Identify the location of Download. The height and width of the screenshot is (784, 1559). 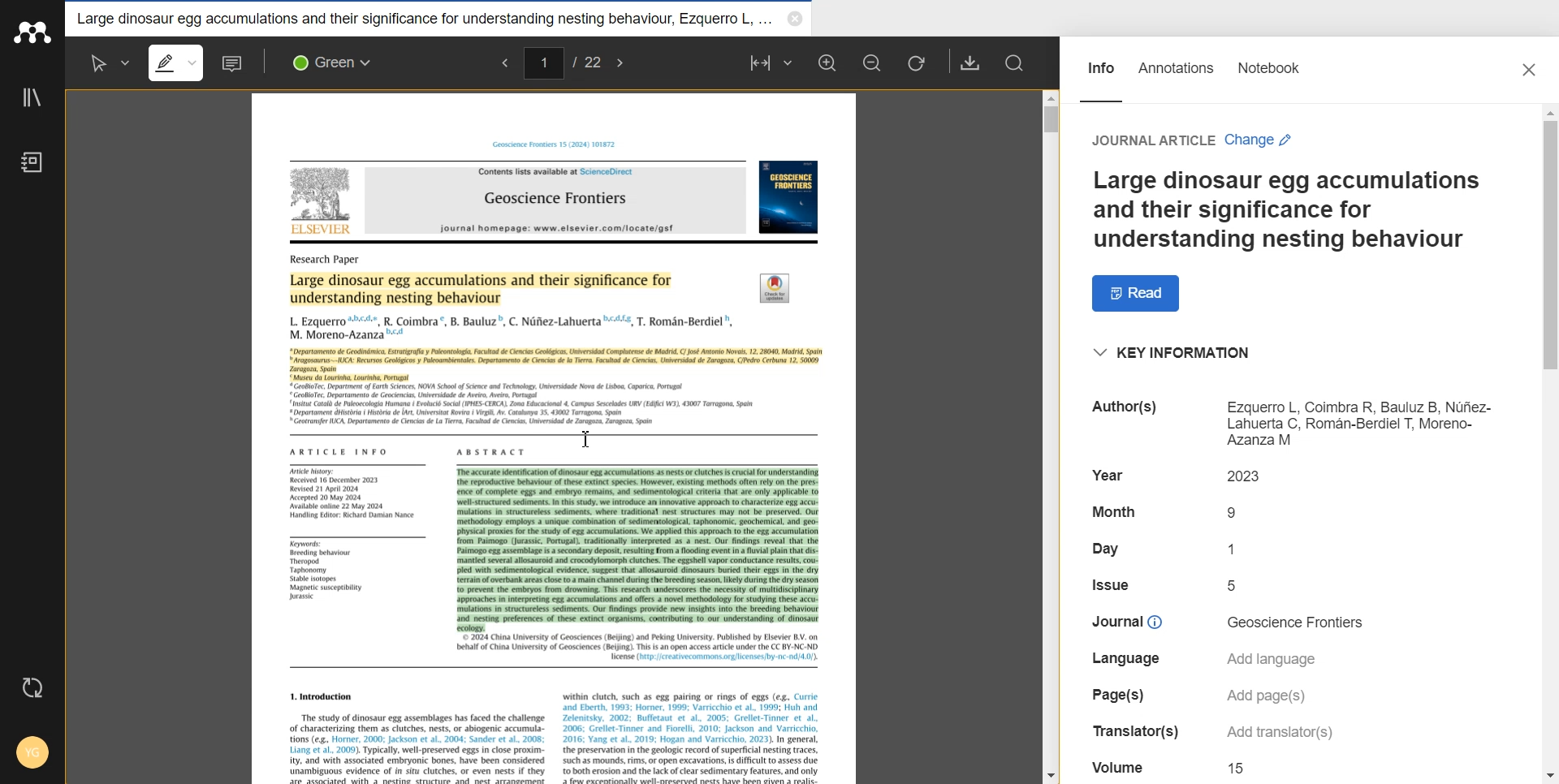
(970, 62).